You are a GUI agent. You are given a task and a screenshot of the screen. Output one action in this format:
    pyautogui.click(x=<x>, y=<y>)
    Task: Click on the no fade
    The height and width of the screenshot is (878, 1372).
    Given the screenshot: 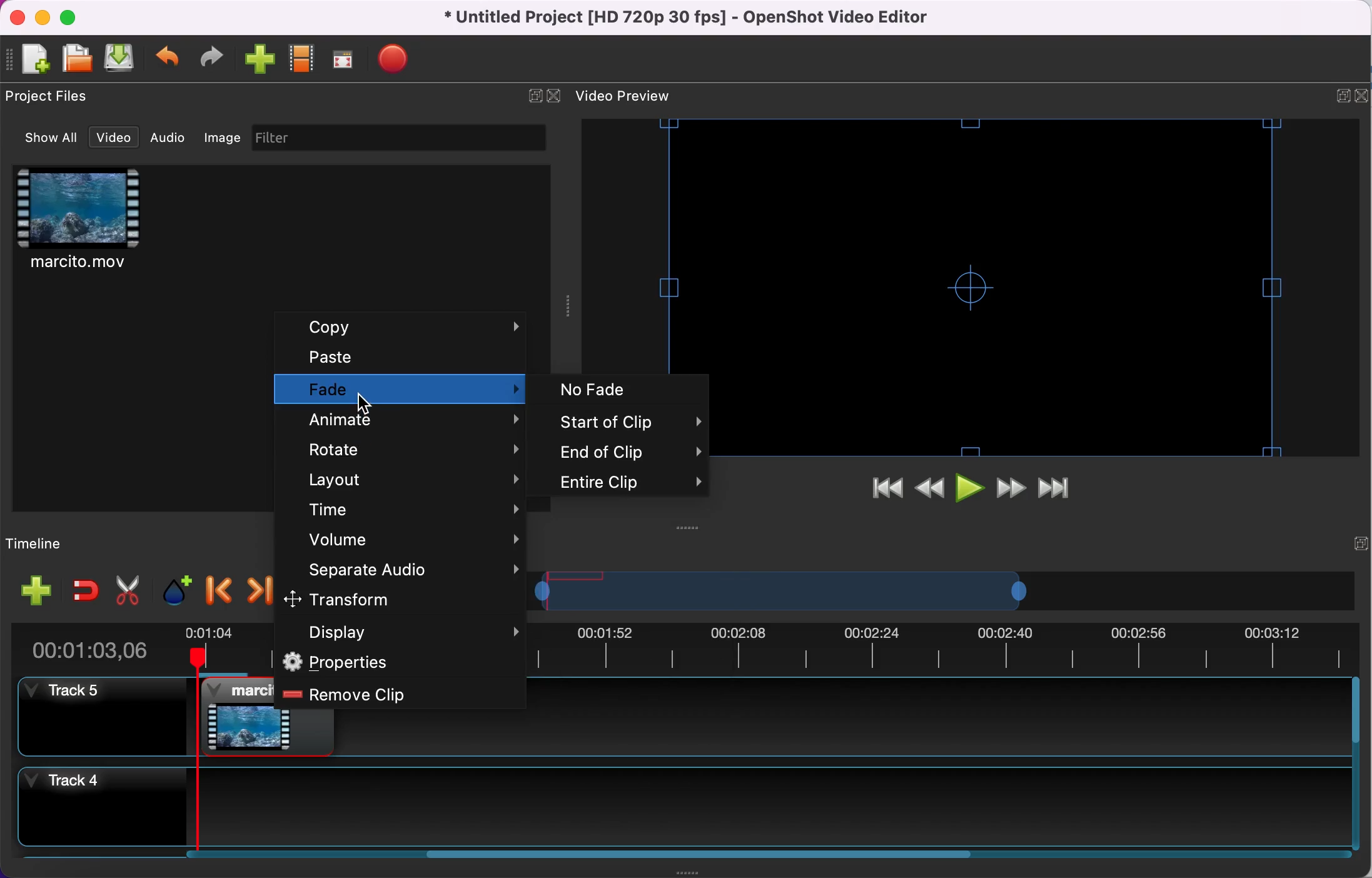 What is the action you would take?
    pyautogui.click(x=623, y=390)
    